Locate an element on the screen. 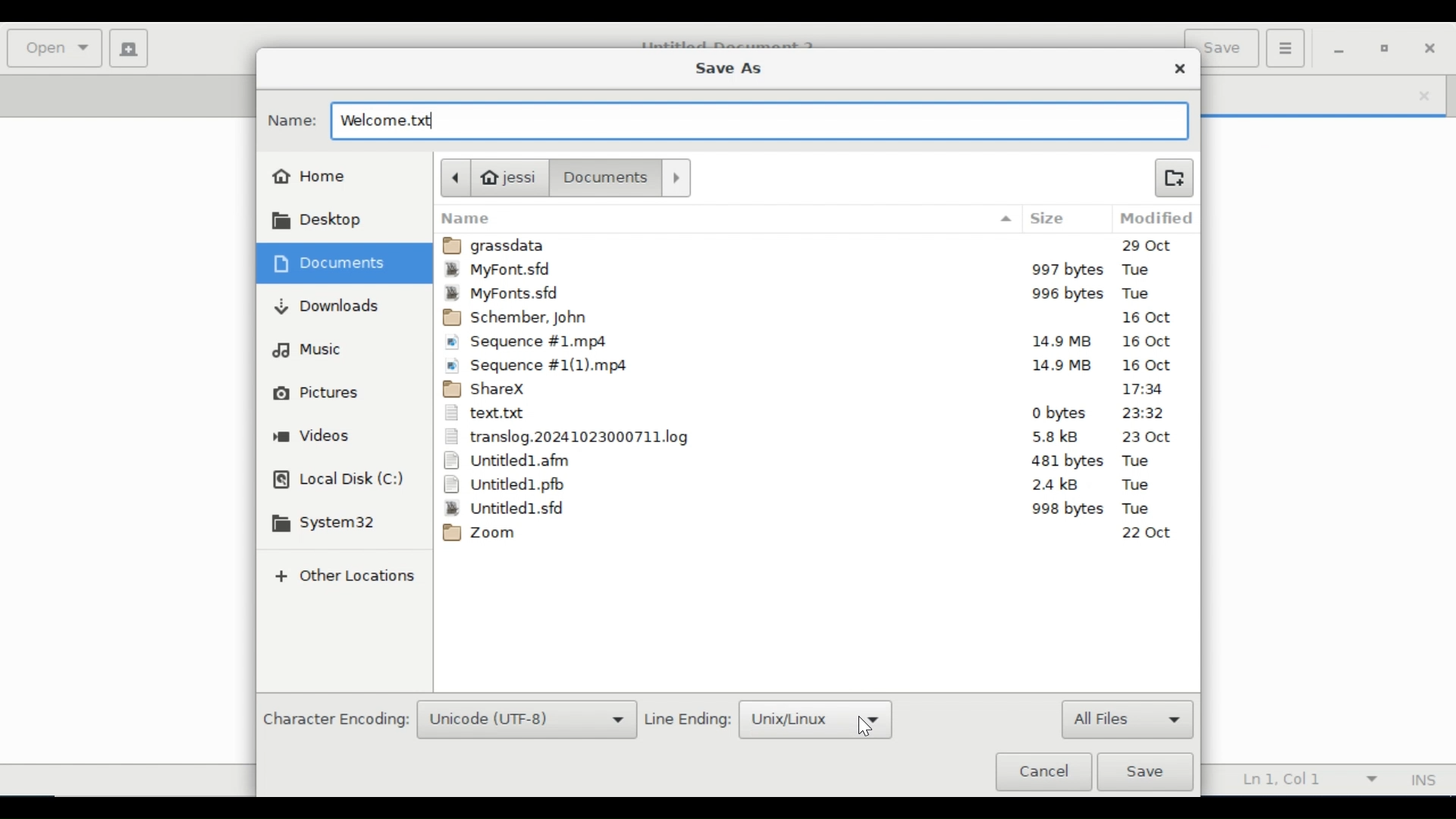 The height and width of the screenshot is (819, 1456). Untitled1.afm 481bytes Tue is located at coordinates (812, 461).